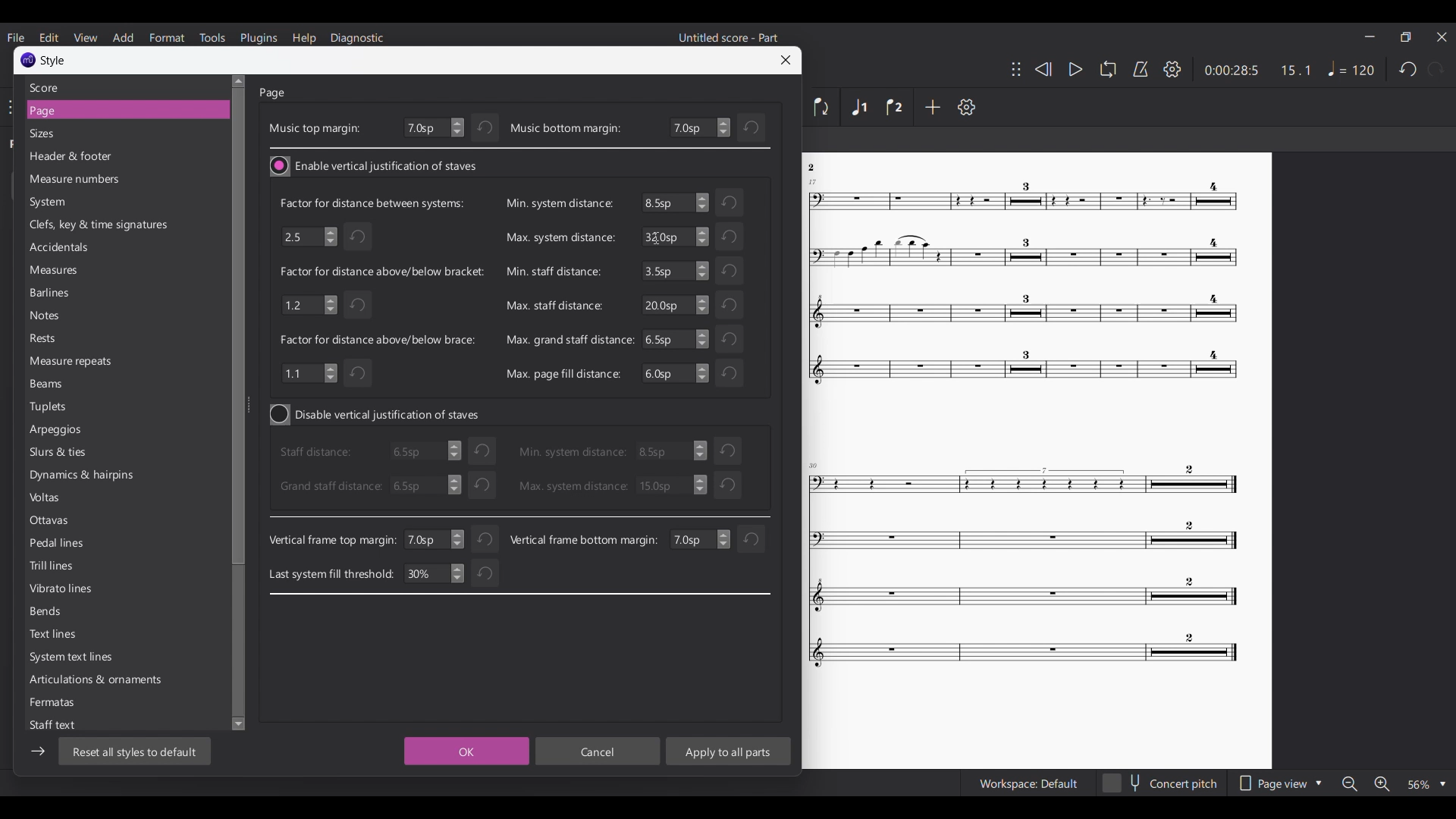 The image size is (1456, 819). I want to click on Undo, so click(728, 372).